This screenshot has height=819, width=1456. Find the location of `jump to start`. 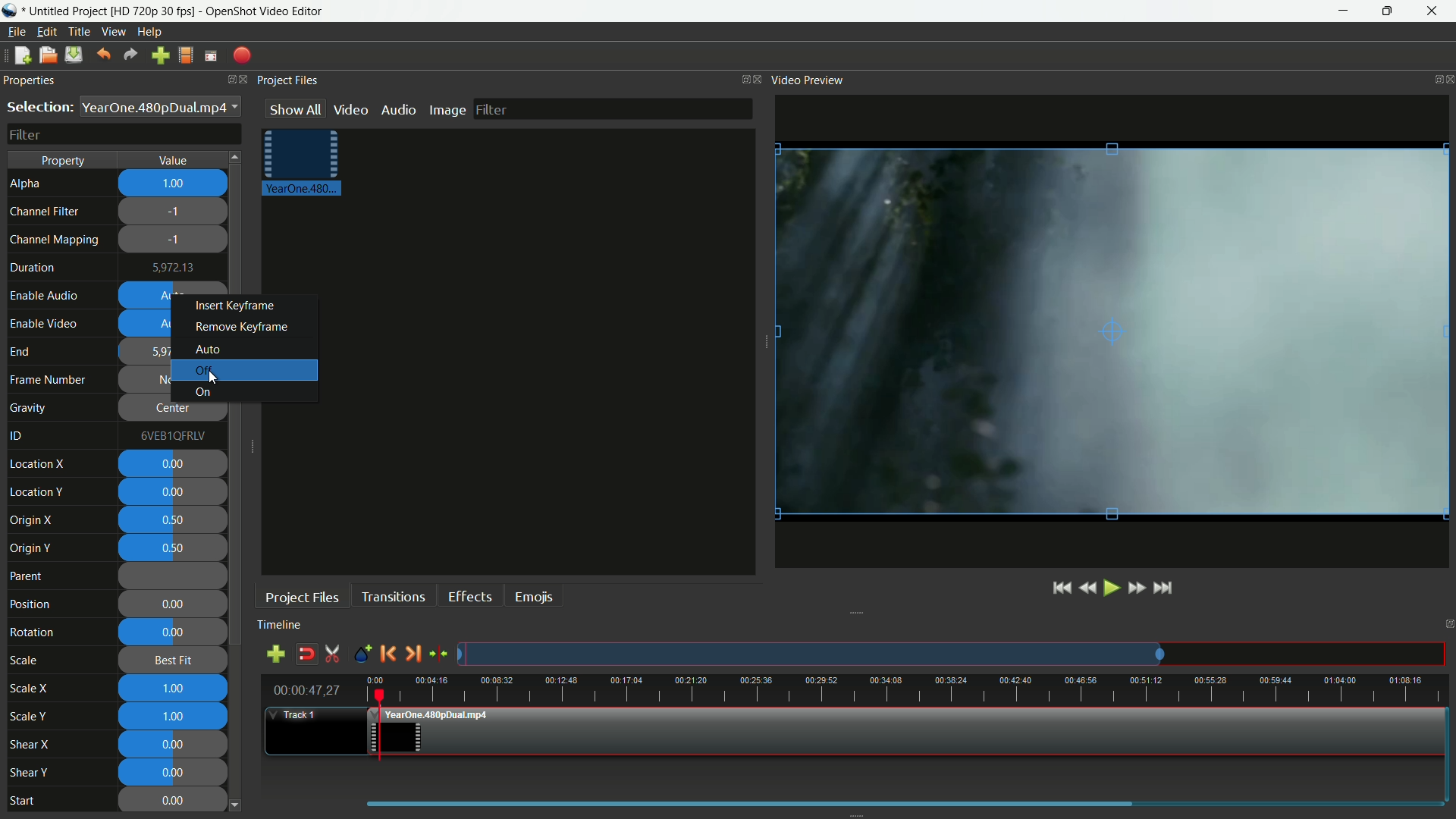

jump to start is located at coordinates (987, 589).